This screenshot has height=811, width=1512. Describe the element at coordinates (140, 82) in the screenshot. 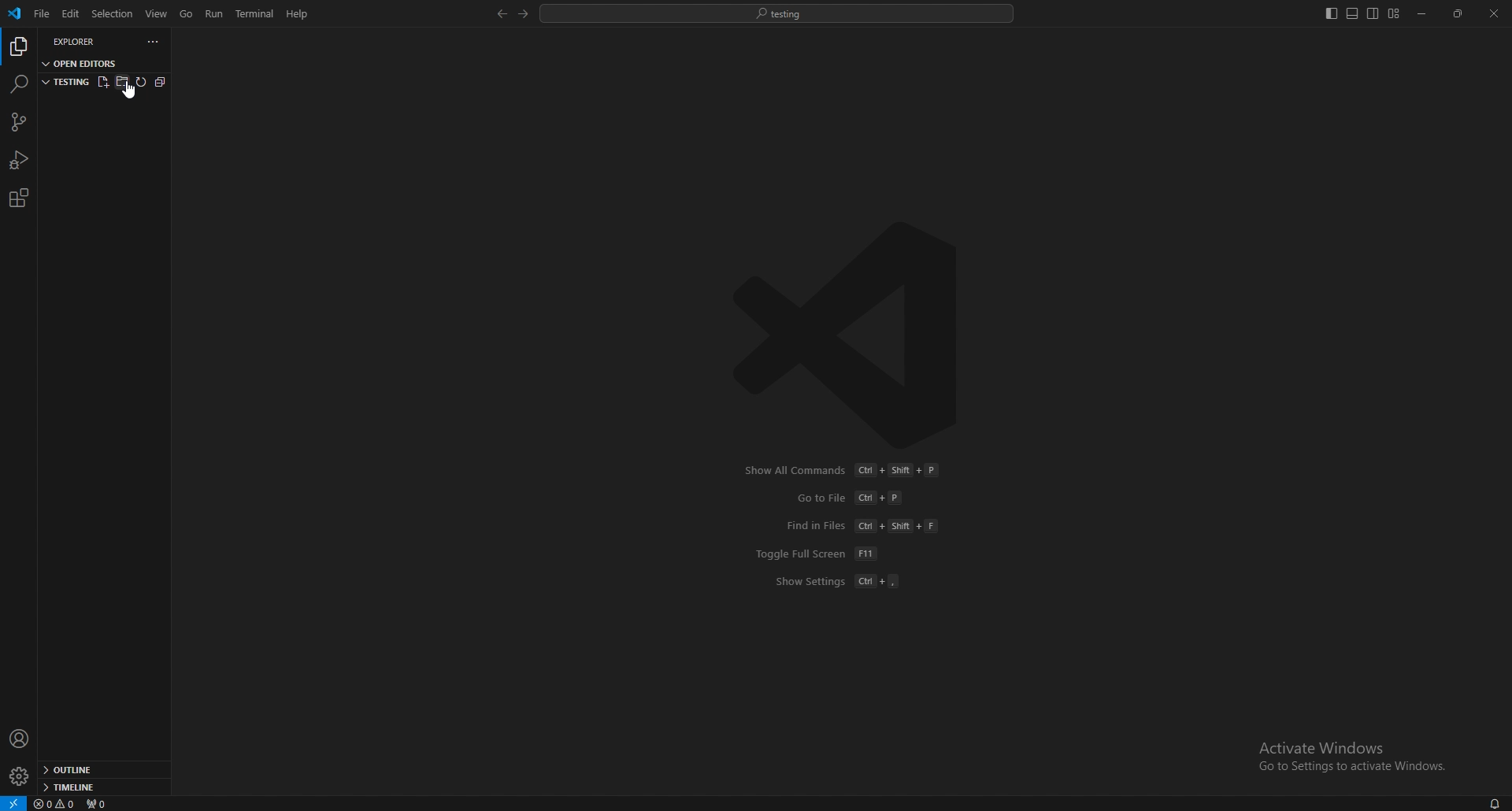

I see `refresh` at that location.